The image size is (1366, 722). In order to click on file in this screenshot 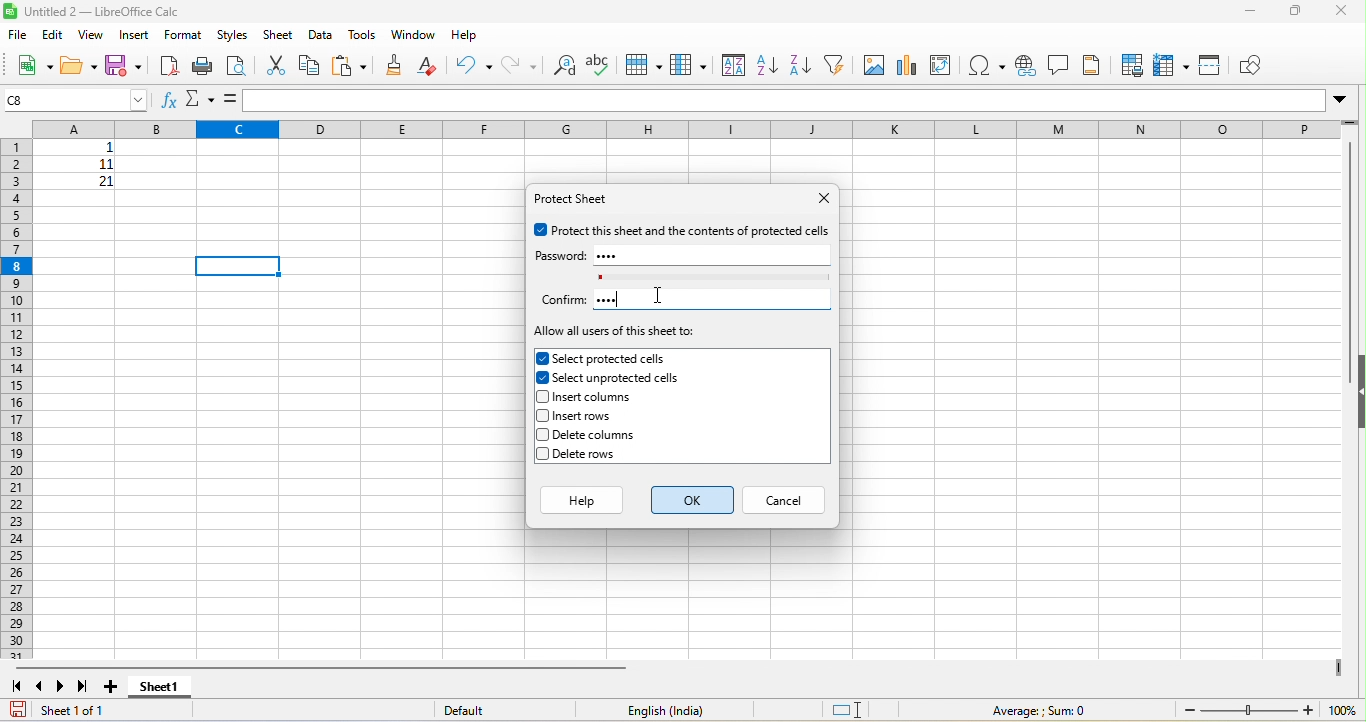, I will do `click(16, 37)`.